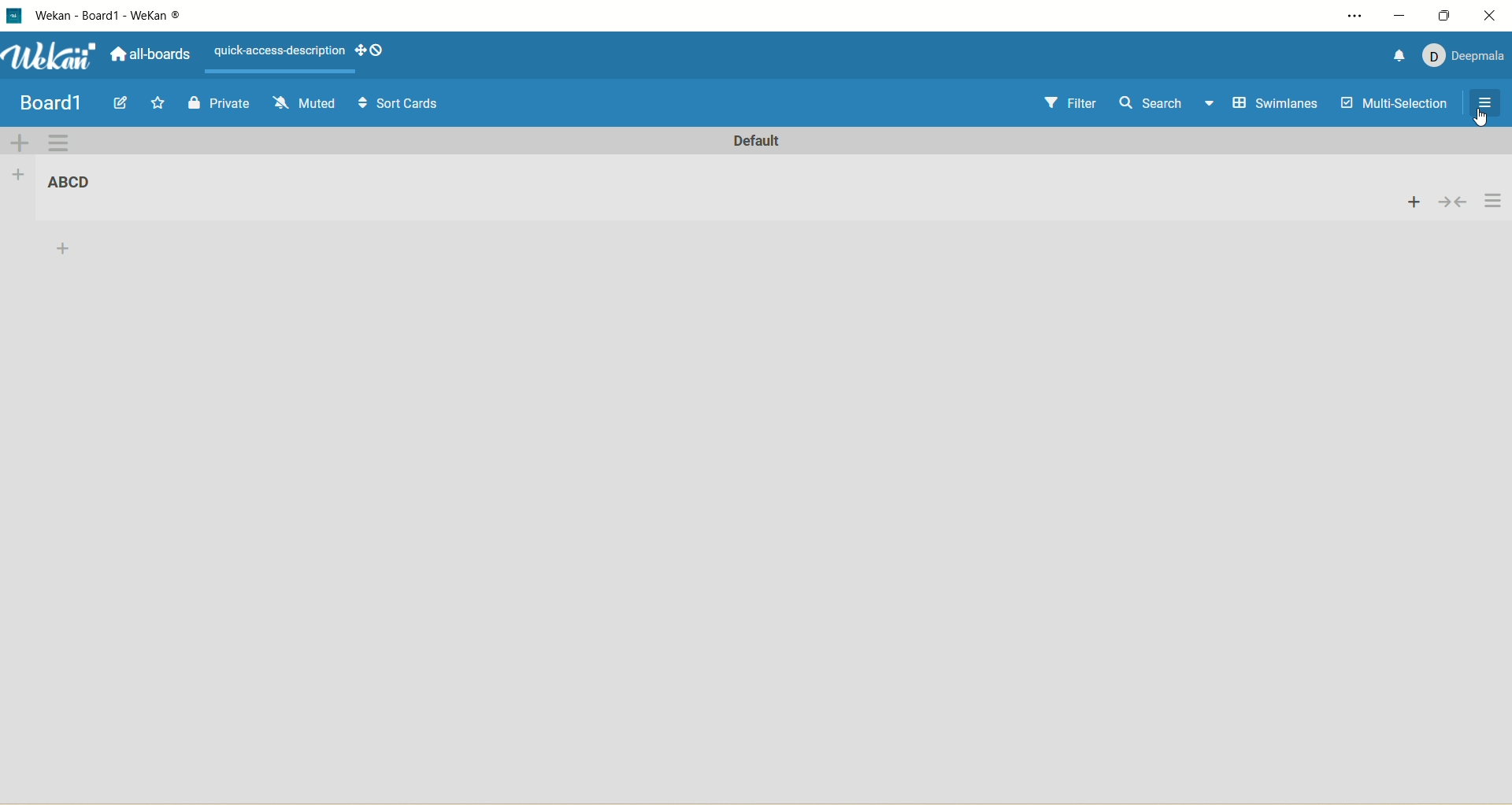  What do you see at coordinates (160, 102) in the screenshot?
I see `Start` at bounding box center [160, 102].